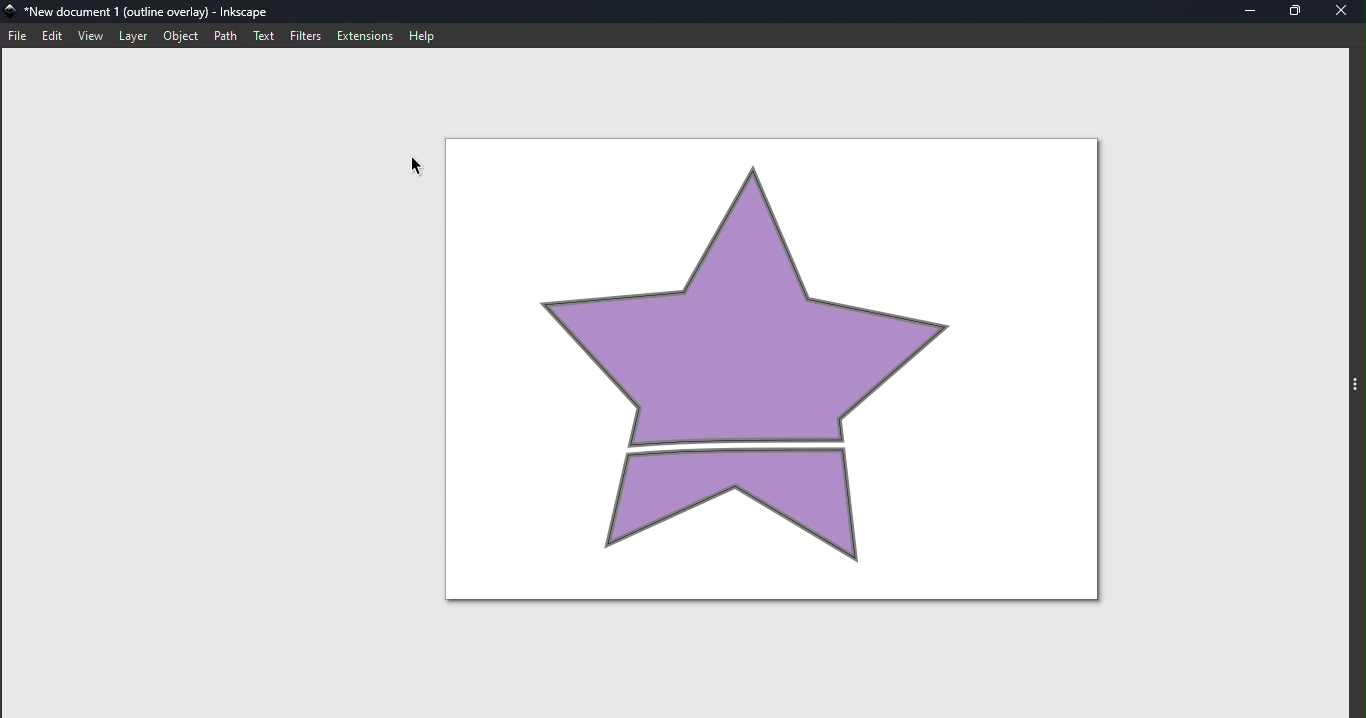  Describe the element at coordinates (55, 37) in the screenshot. I see `Edit` at that location.